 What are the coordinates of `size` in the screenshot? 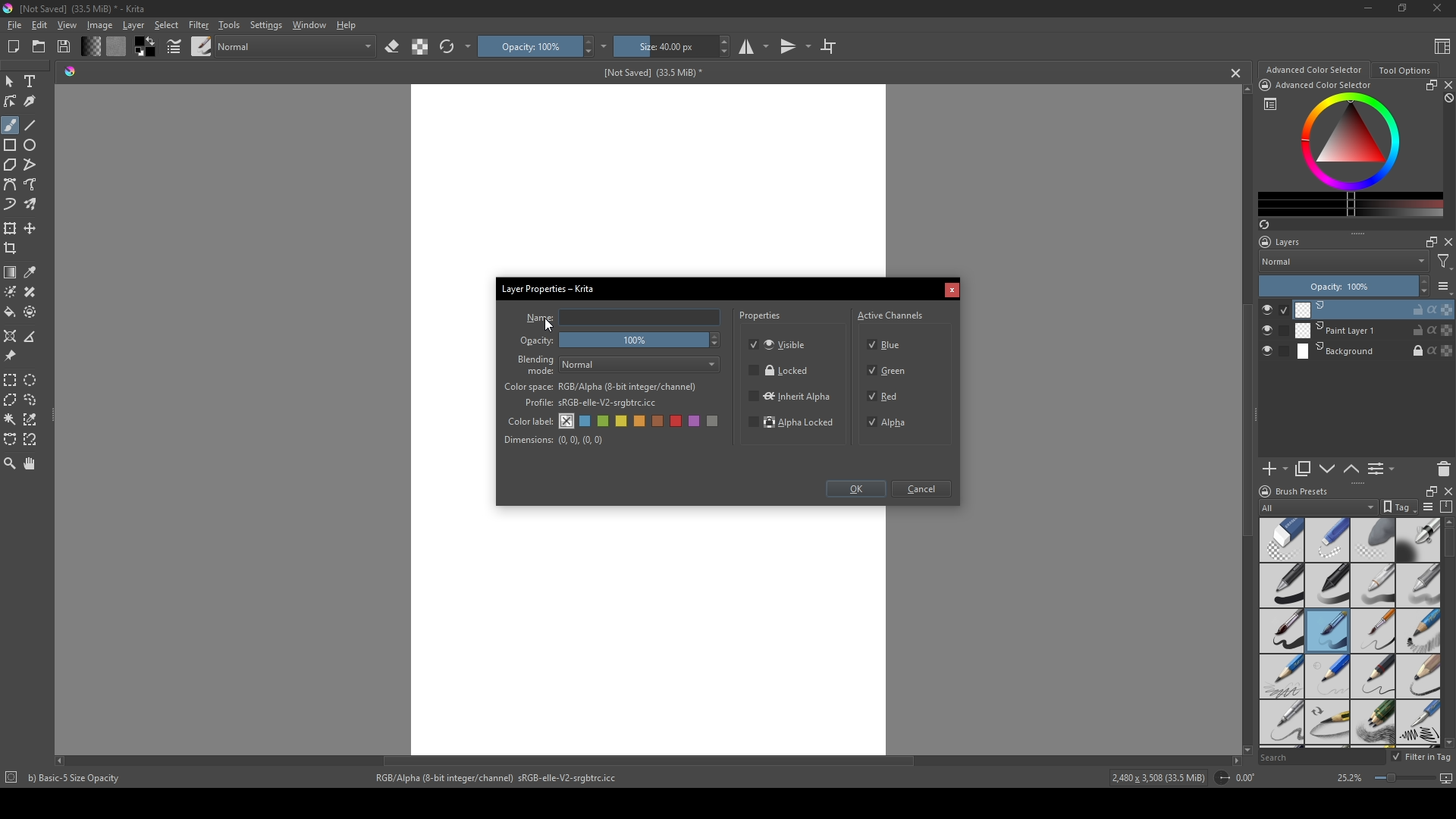 It's located at (664, 46).